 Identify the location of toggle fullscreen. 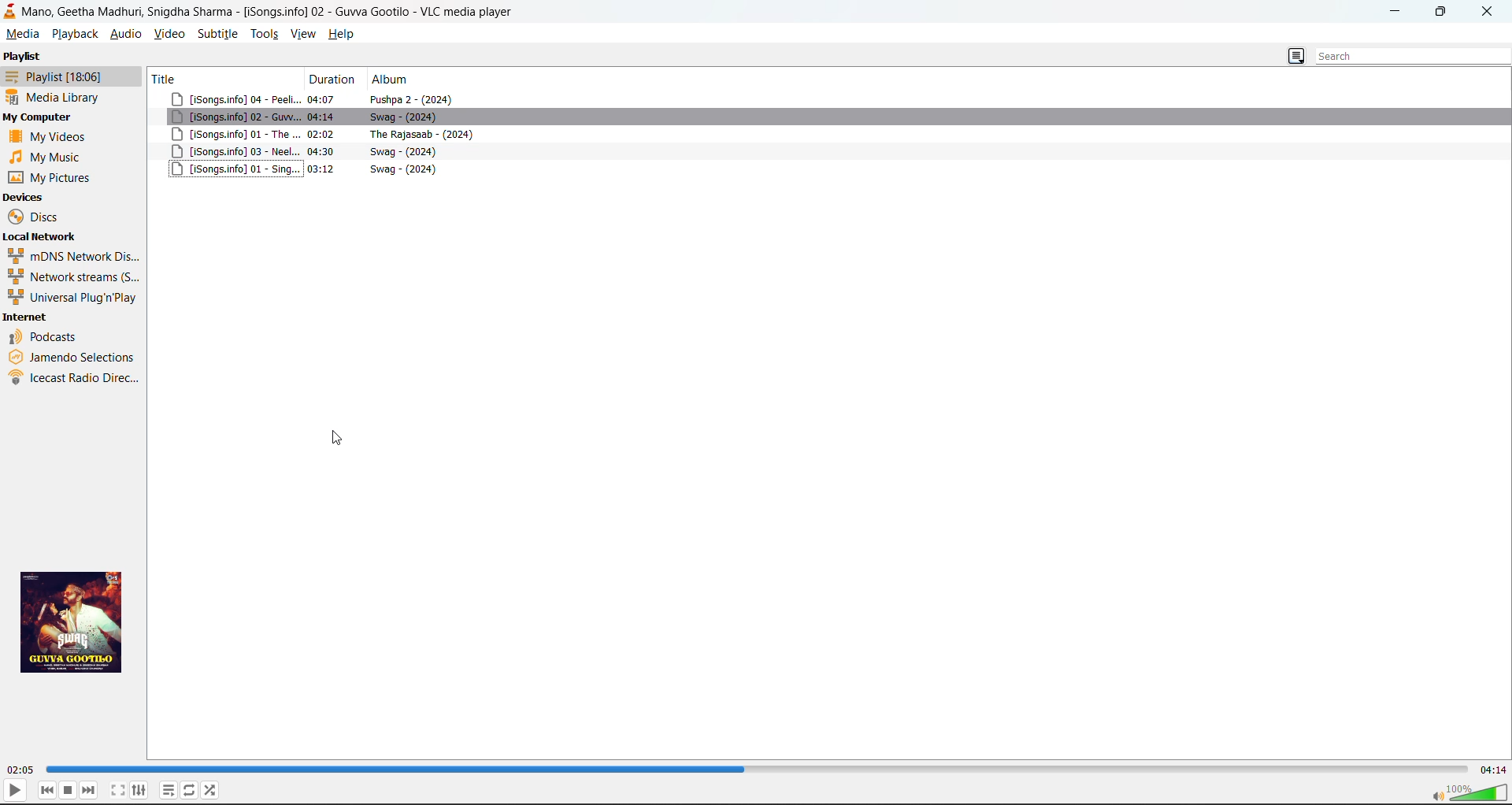
(118, 790).